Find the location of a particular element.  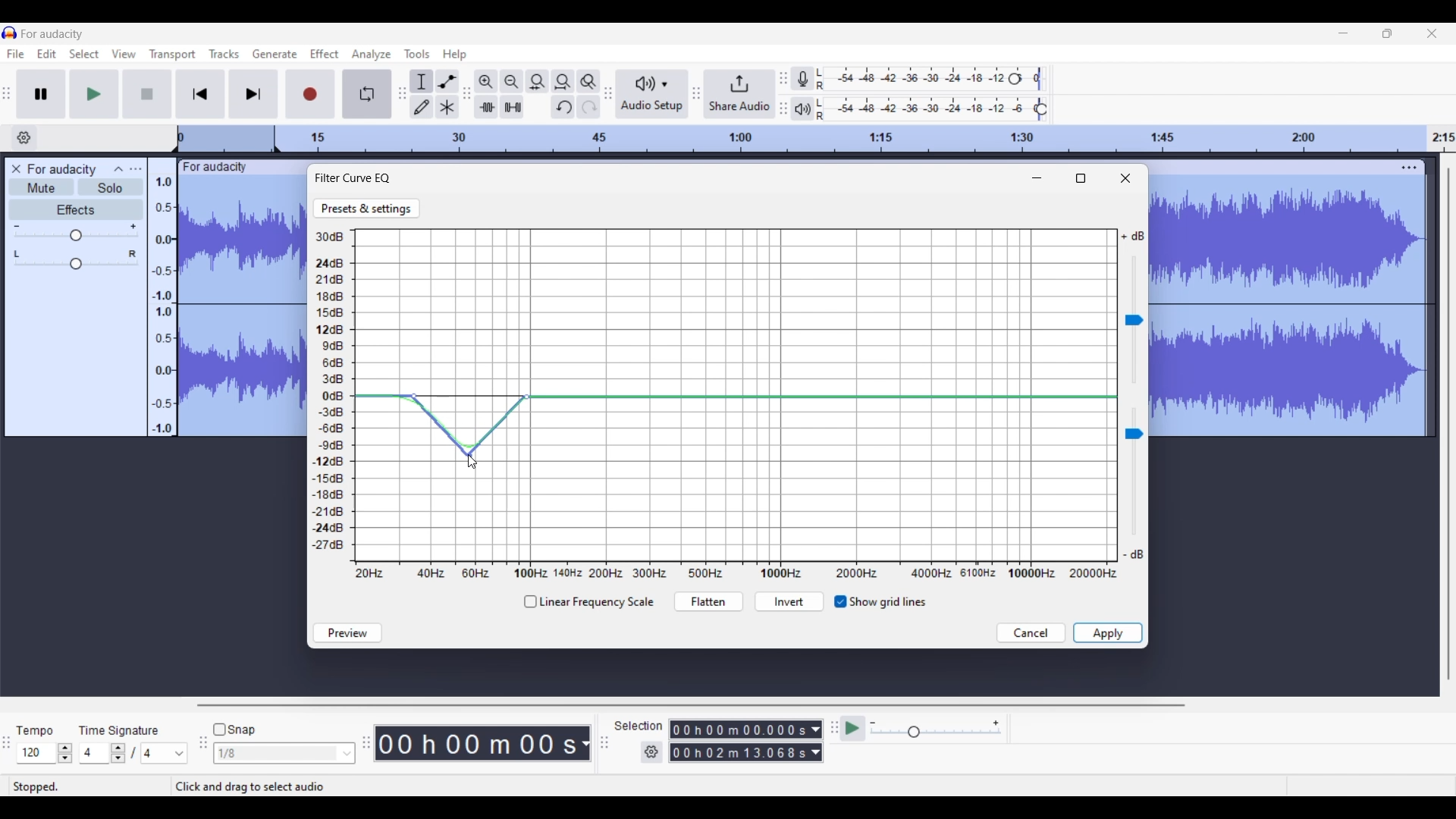

Flatten curve is located at coordinates (708, 602).